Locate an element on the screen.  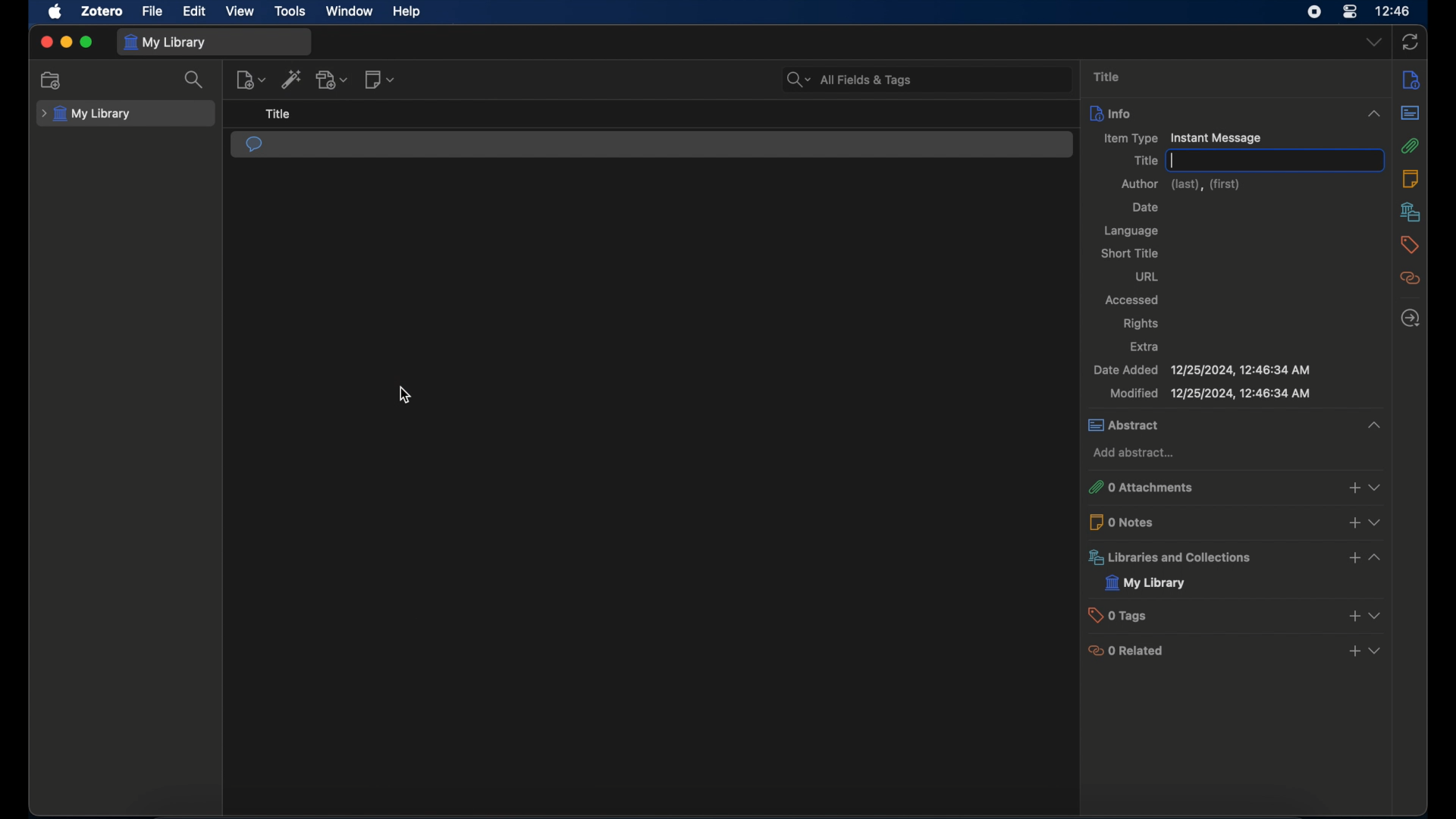
edit is located at coordinates (196, 11).